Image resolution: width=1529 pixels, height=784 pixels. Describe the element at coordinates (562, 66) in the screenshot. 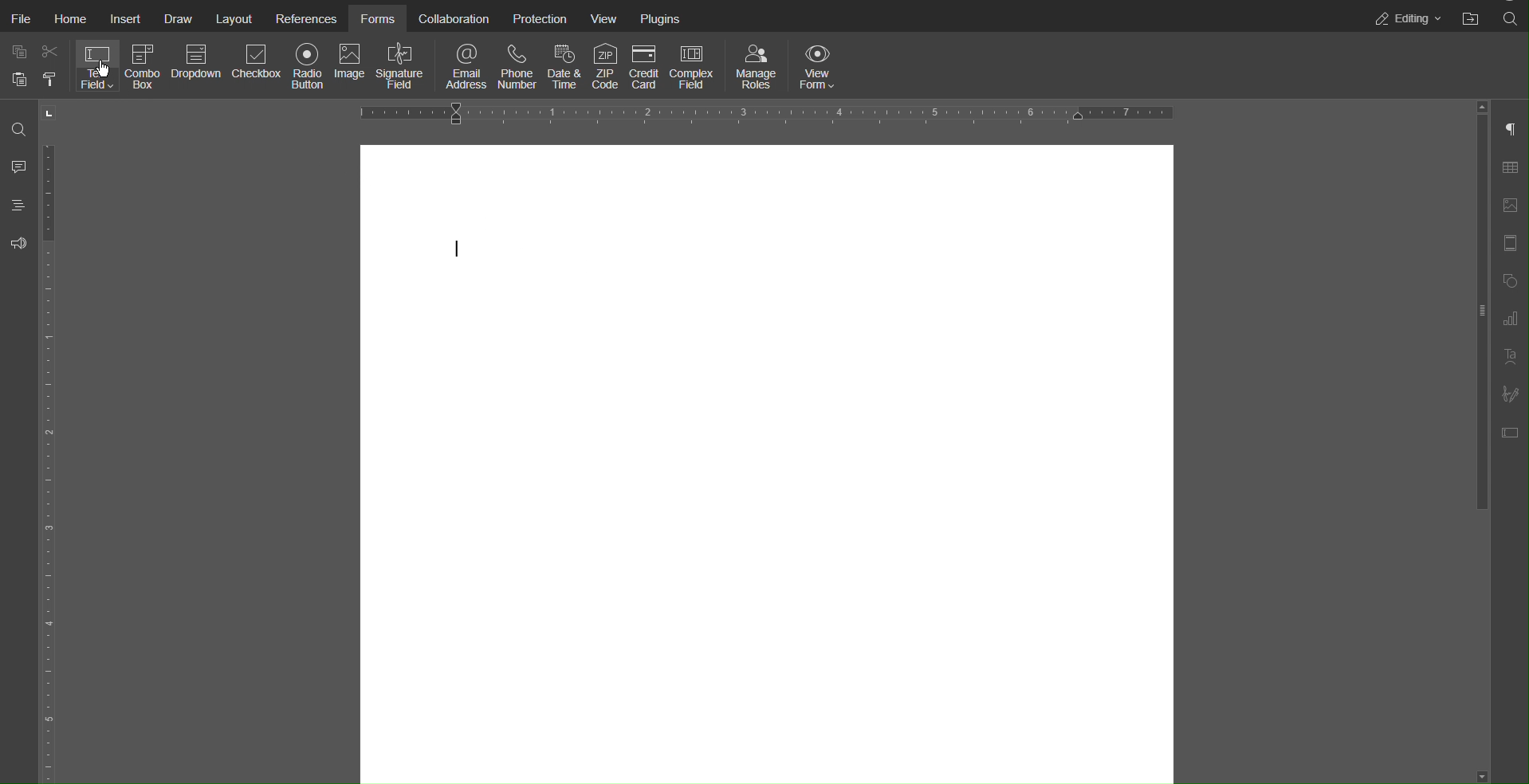

I see `Date & Time` at that location.